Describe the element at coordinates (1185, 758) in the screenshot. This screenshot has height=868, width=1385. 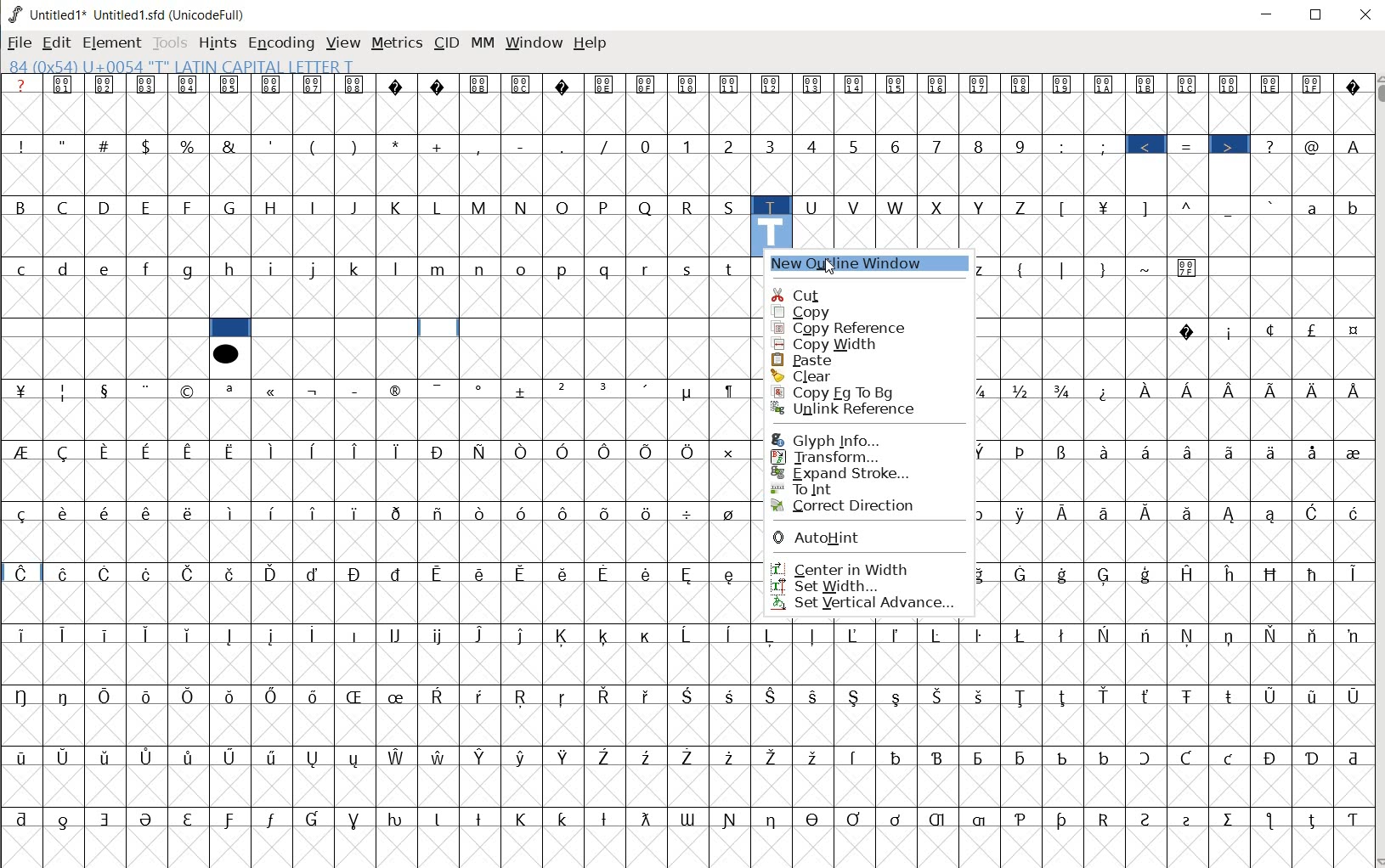
I see `Symbol` at that location.